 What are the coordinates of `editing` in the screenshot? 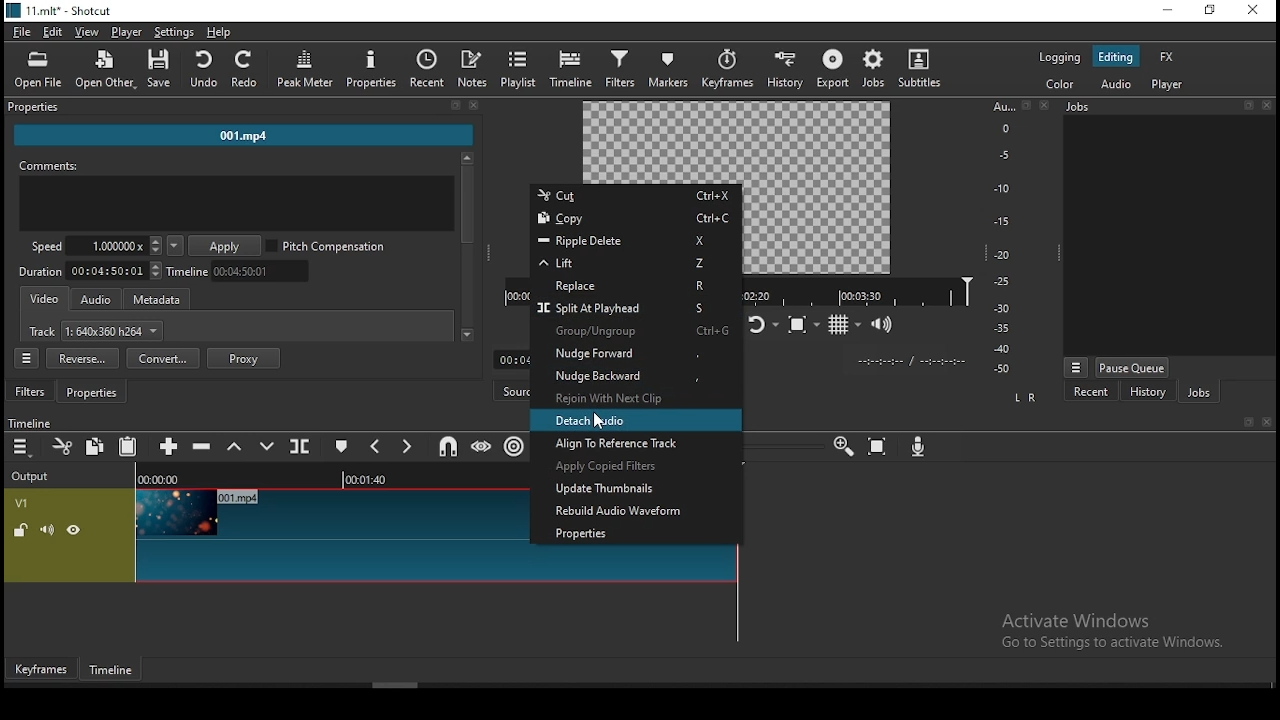 It's located at (1115, 56).